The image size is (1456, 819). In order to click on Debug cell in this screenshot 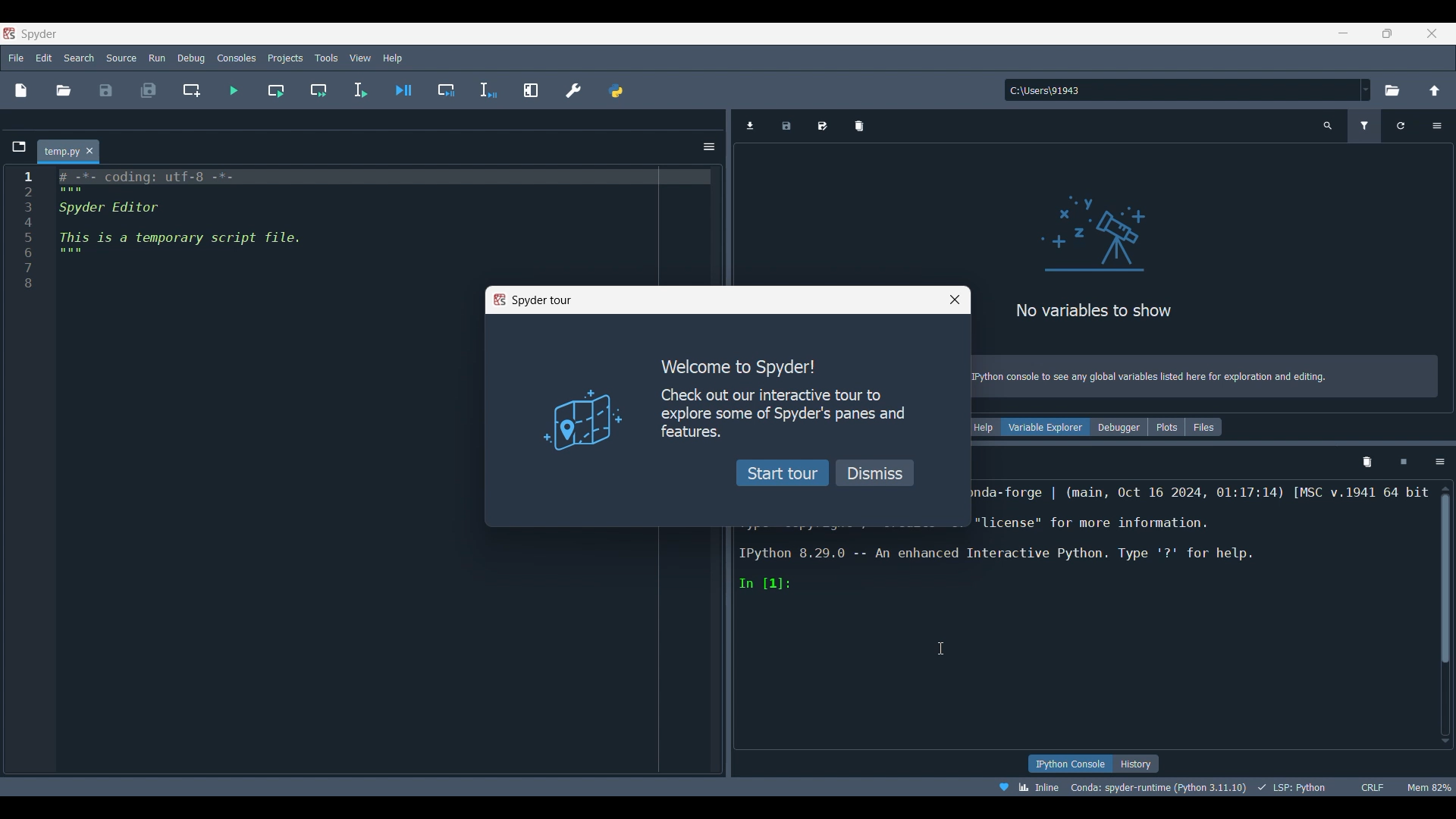, I will do `click(447, 90)`.